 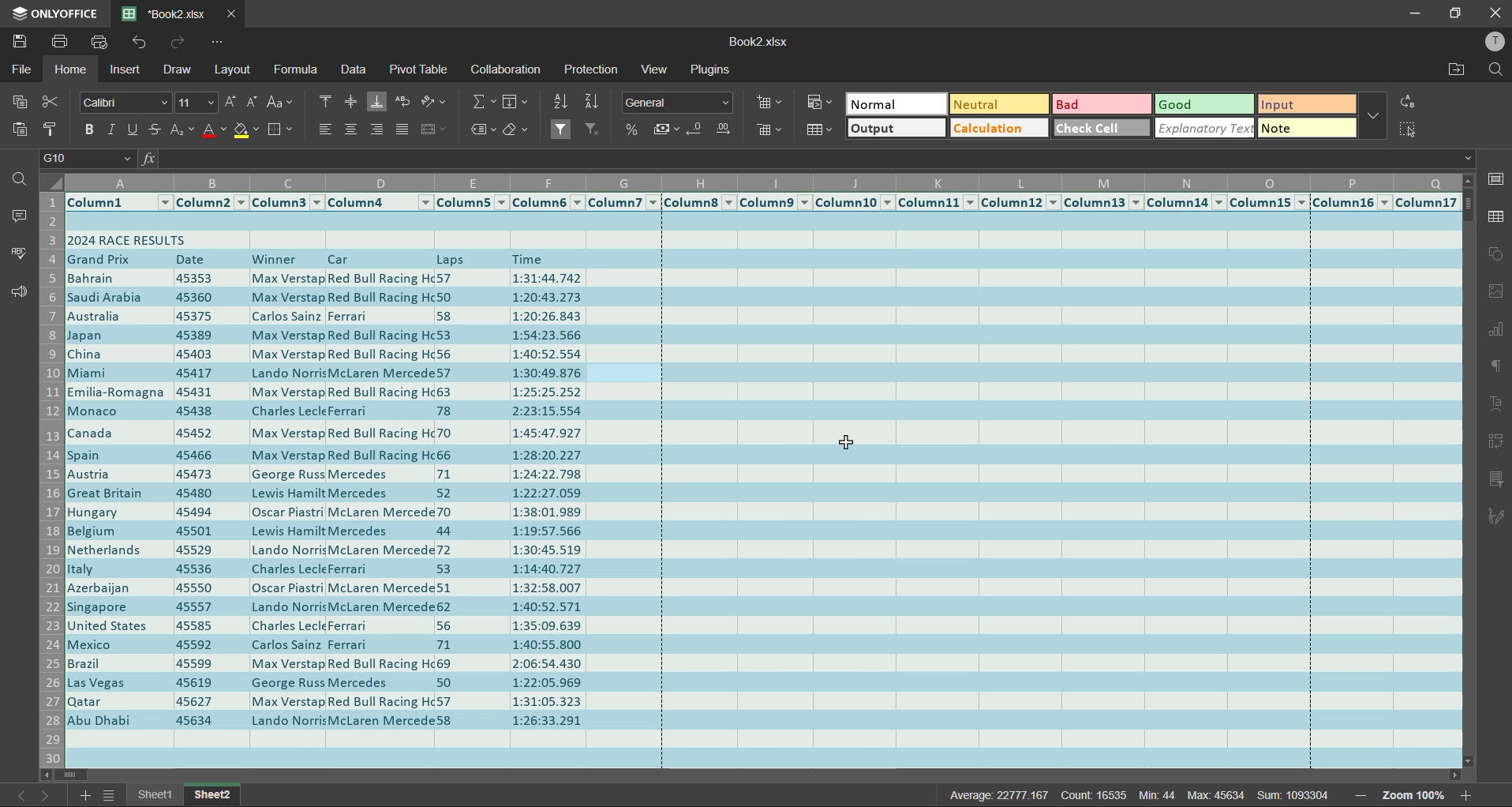 I want to click on signature, so click(x=1496, y=514).